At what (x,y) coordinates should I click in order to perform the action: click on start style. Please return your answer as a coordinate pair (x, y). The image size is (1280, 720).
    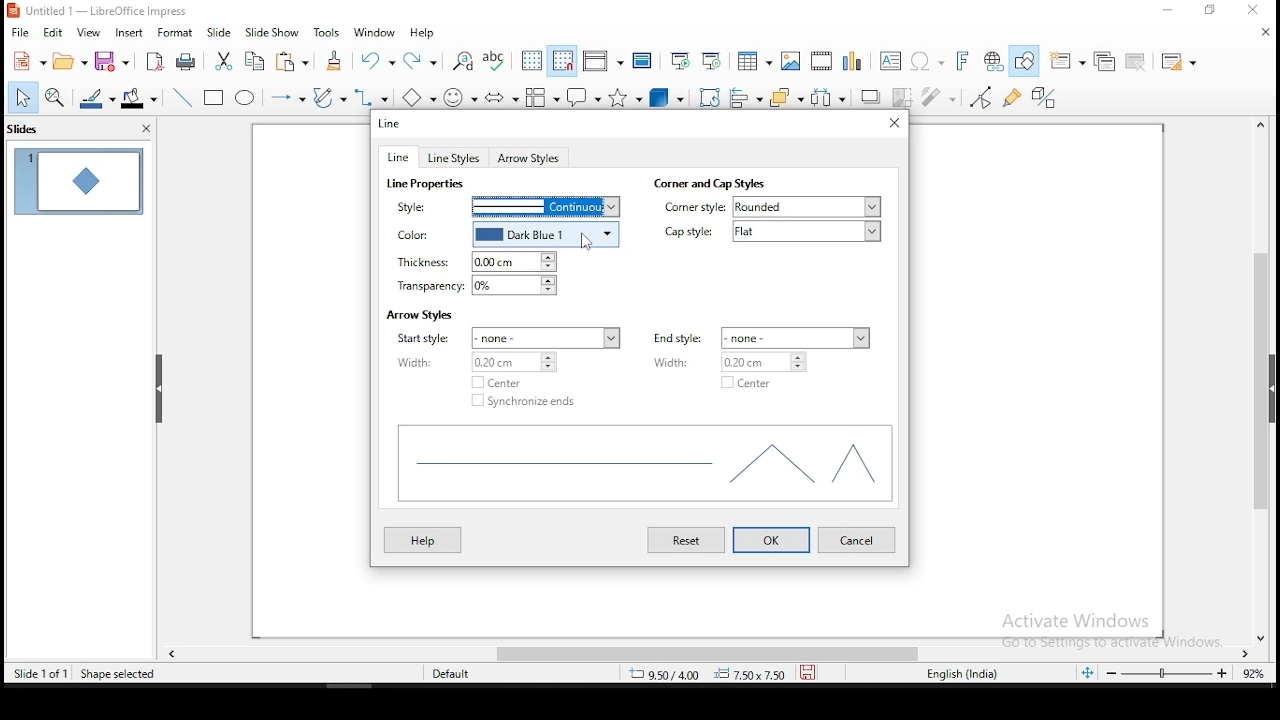
    Looking at the image, I should click on (426, 339).